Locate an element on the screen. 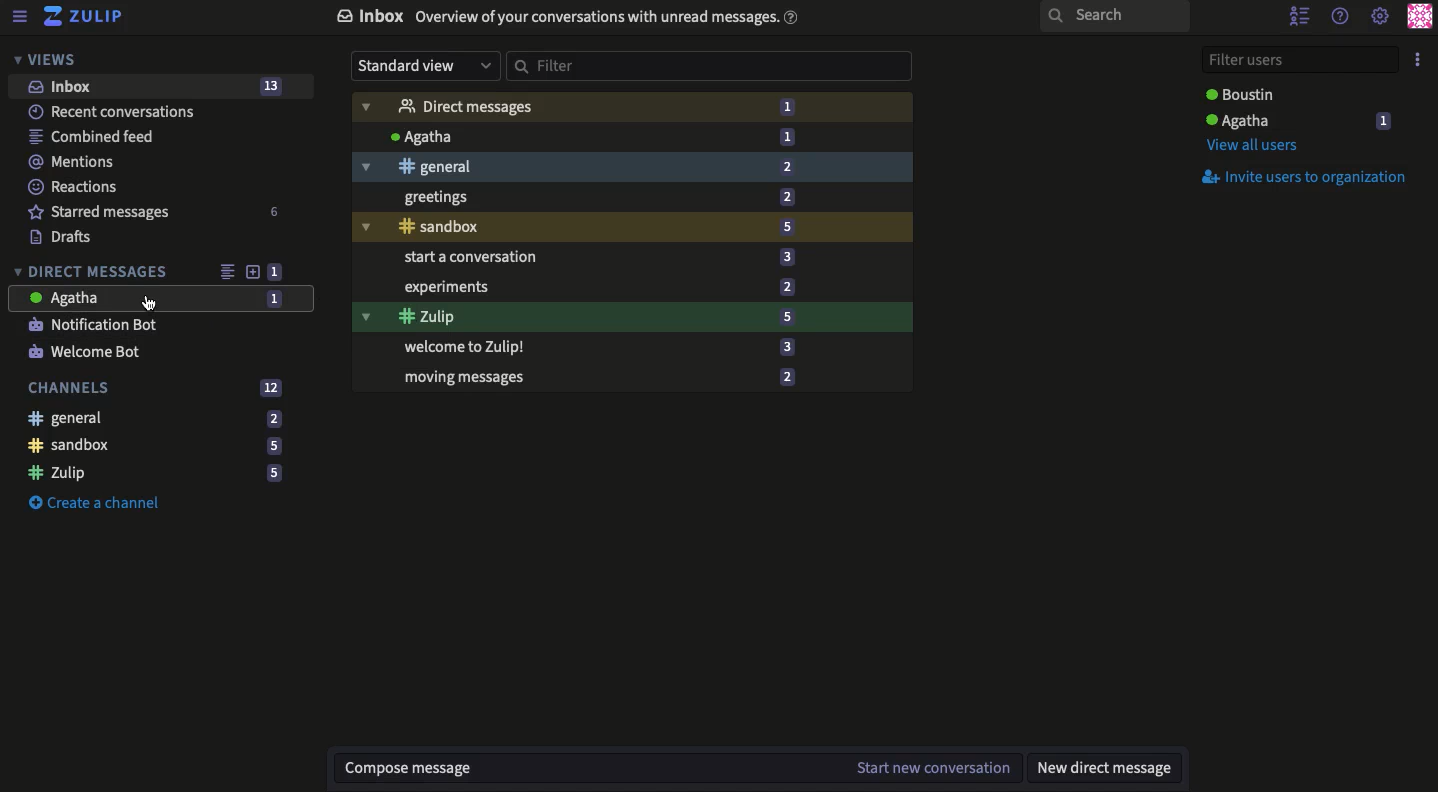  Create a channel is located at coordinates (100, 502).